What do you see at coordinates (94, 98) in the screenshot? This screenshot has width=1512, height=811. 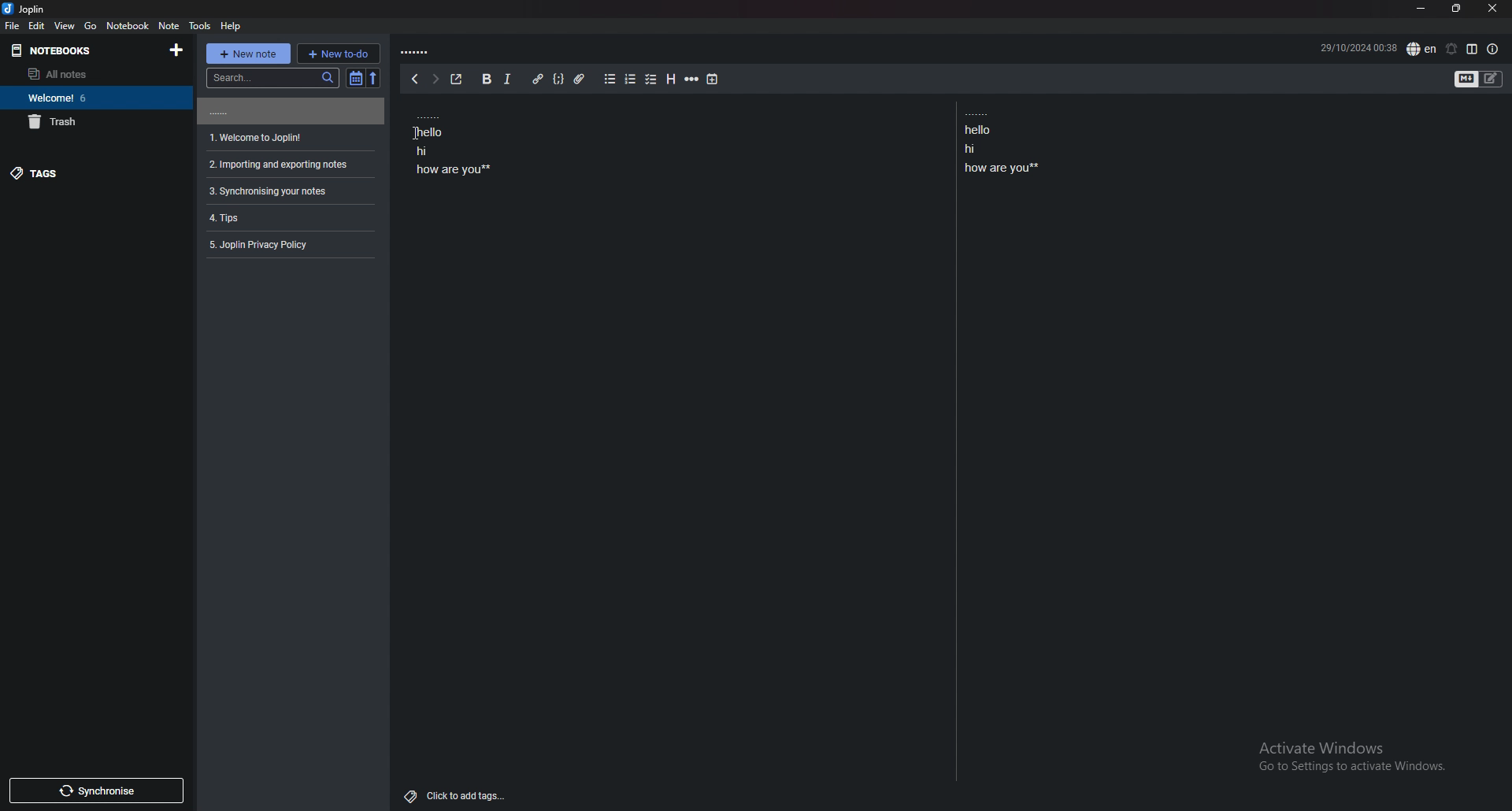 I see `welcome` at bounding box center [94, 98].